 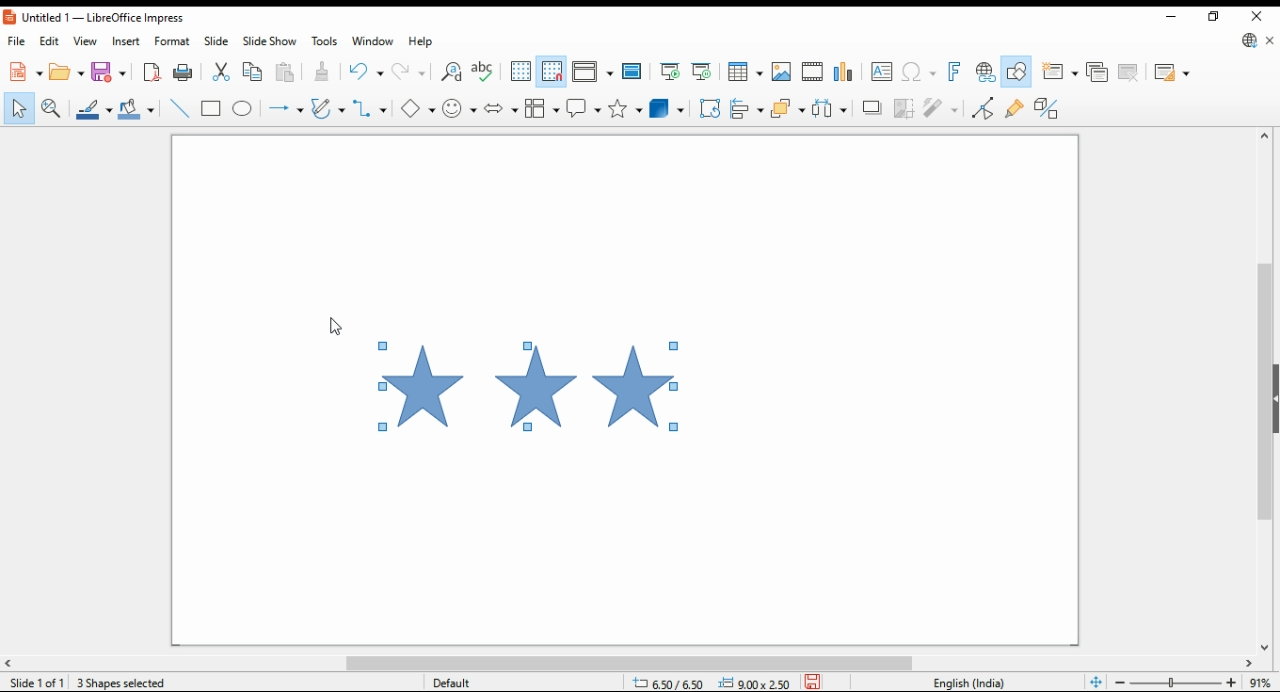 I want to click on libre office updte, so click(x=1247, y=40).